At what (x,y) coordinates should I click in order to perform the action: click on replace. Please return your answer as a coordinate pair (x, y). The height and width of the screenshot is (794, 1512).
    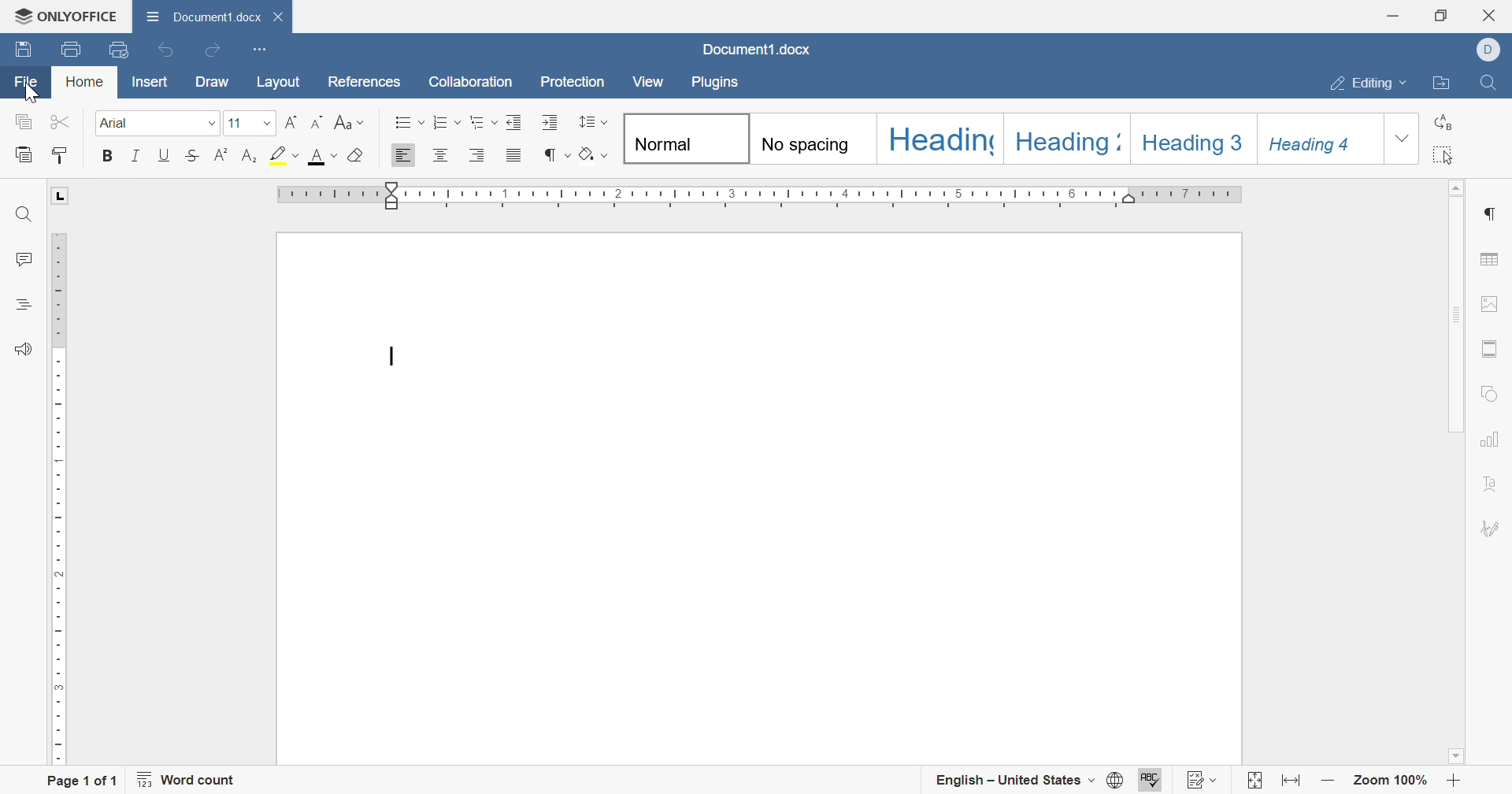
    Looking at the image, I should click on (1445, 121).